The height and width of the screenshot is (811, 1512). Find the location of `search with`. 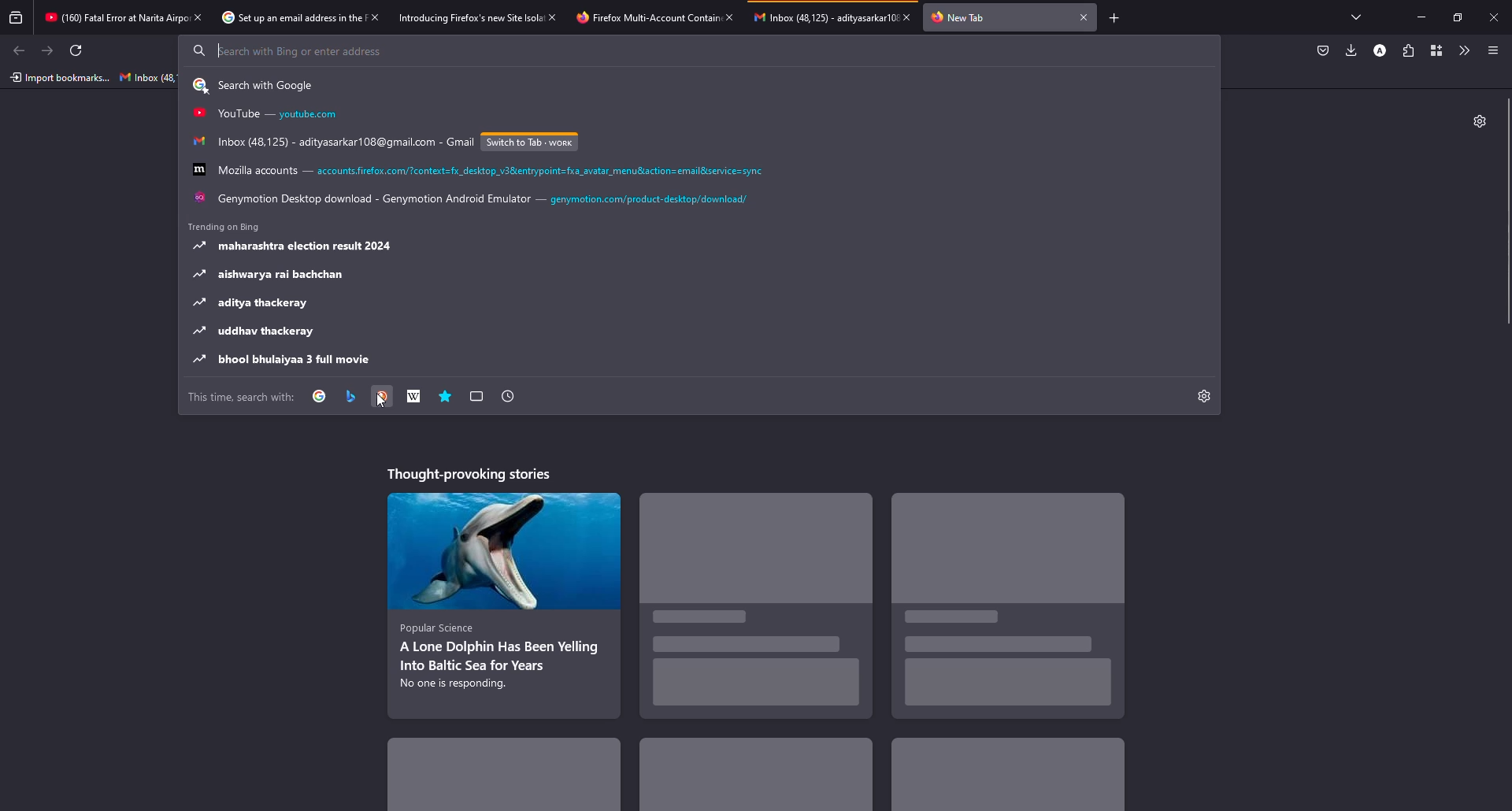

search with is located at coordinates (243, 398).